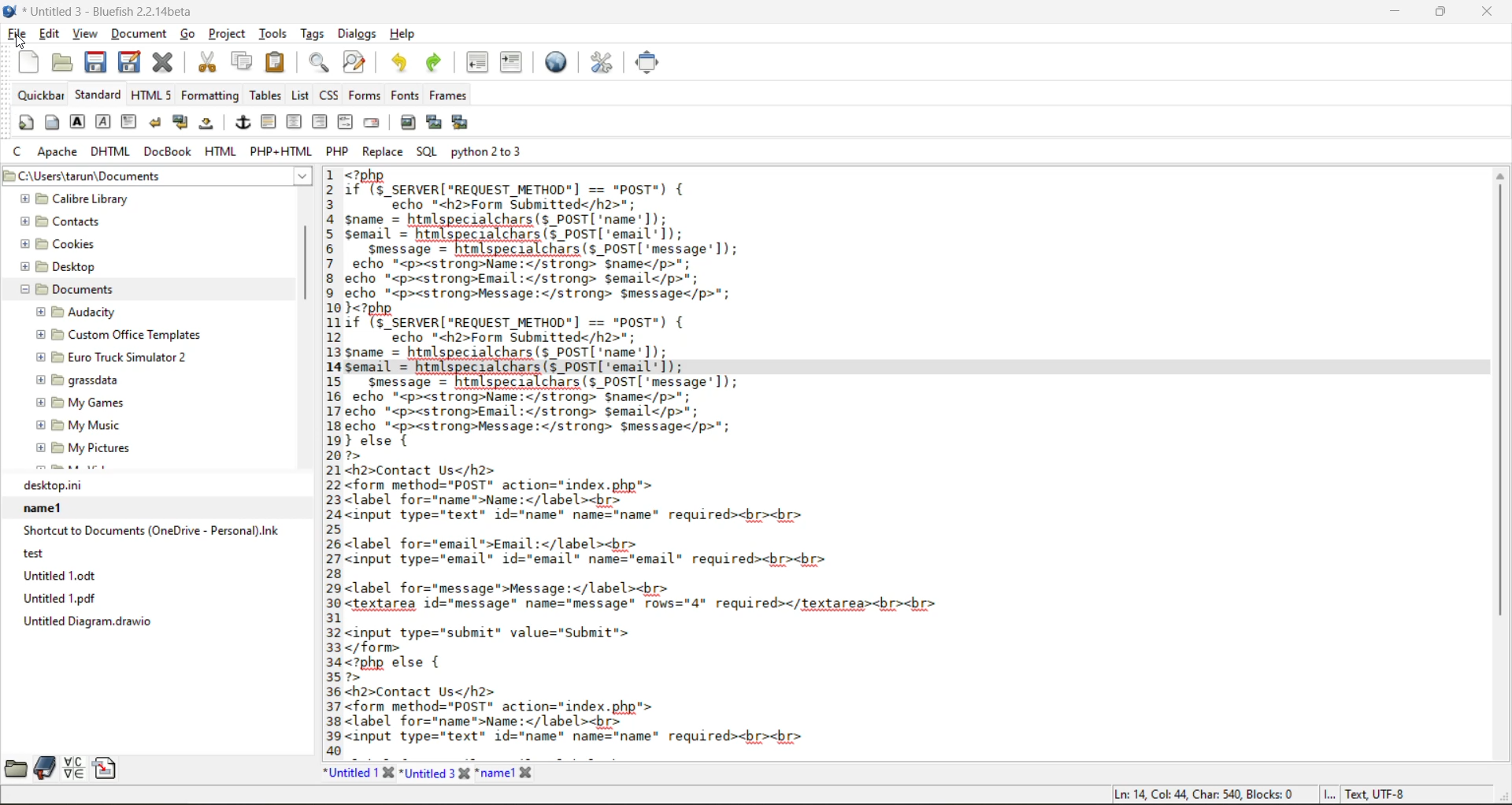 Image resolution: width=1512 pixels, height=805 pixels. I want to click on right justify, so click(320, 122).